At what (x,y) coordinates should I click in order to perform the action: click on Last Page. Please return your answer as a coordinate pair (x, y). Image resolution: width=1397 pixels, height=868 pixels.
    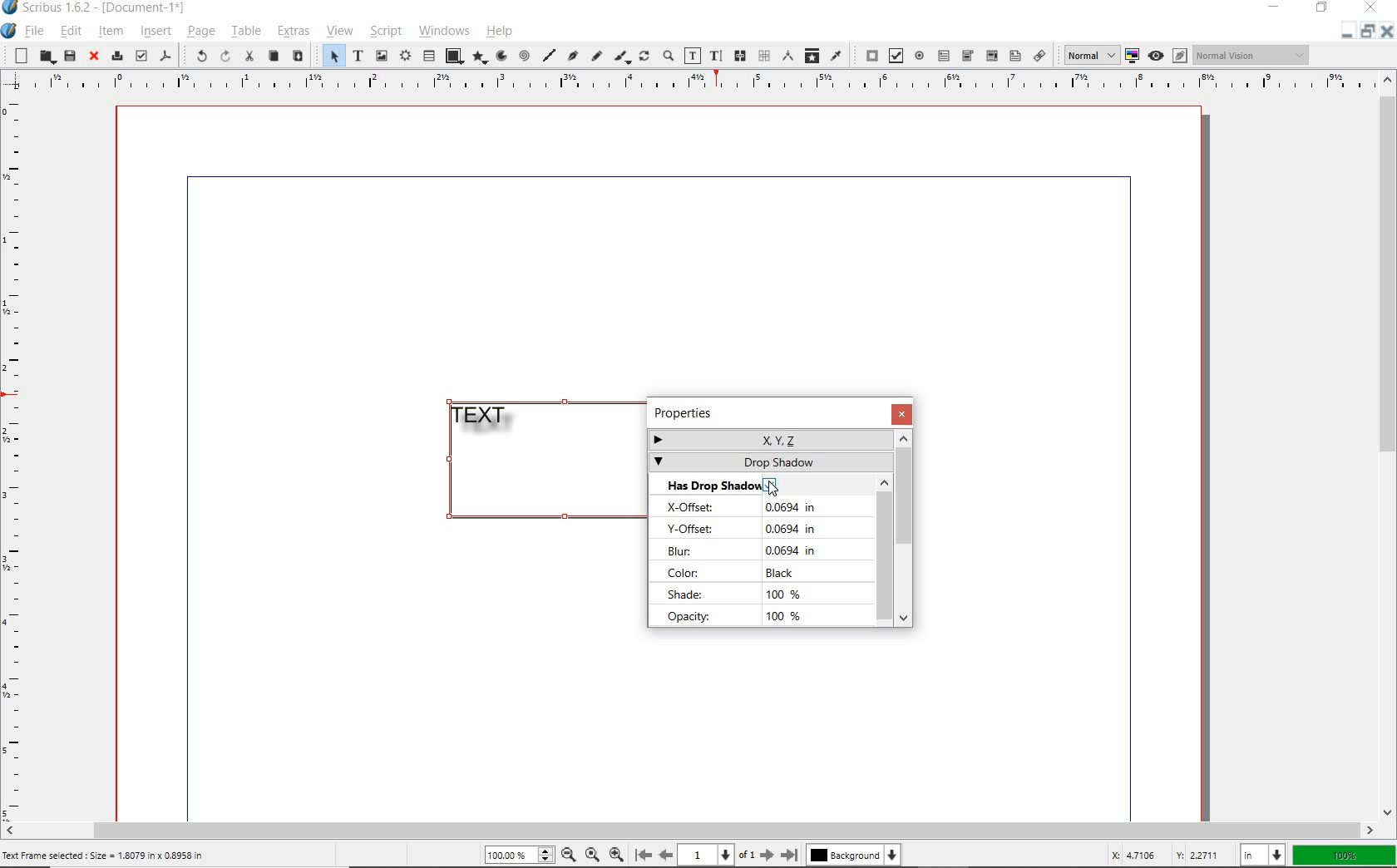
    Looking at the image, I should click on (791, 855).